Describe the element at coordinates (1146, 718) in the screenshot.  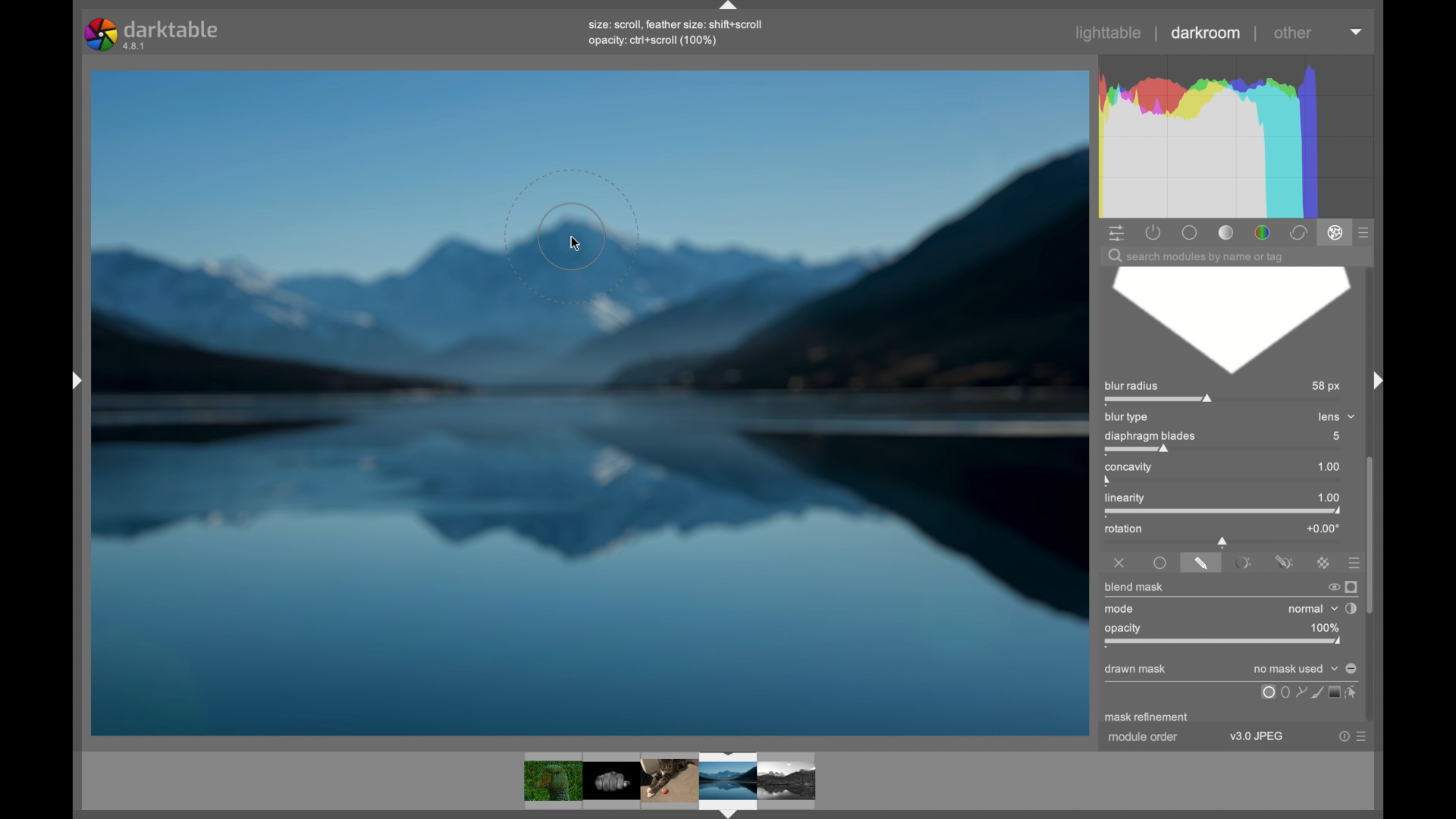
I see `mask refinement` at that location.